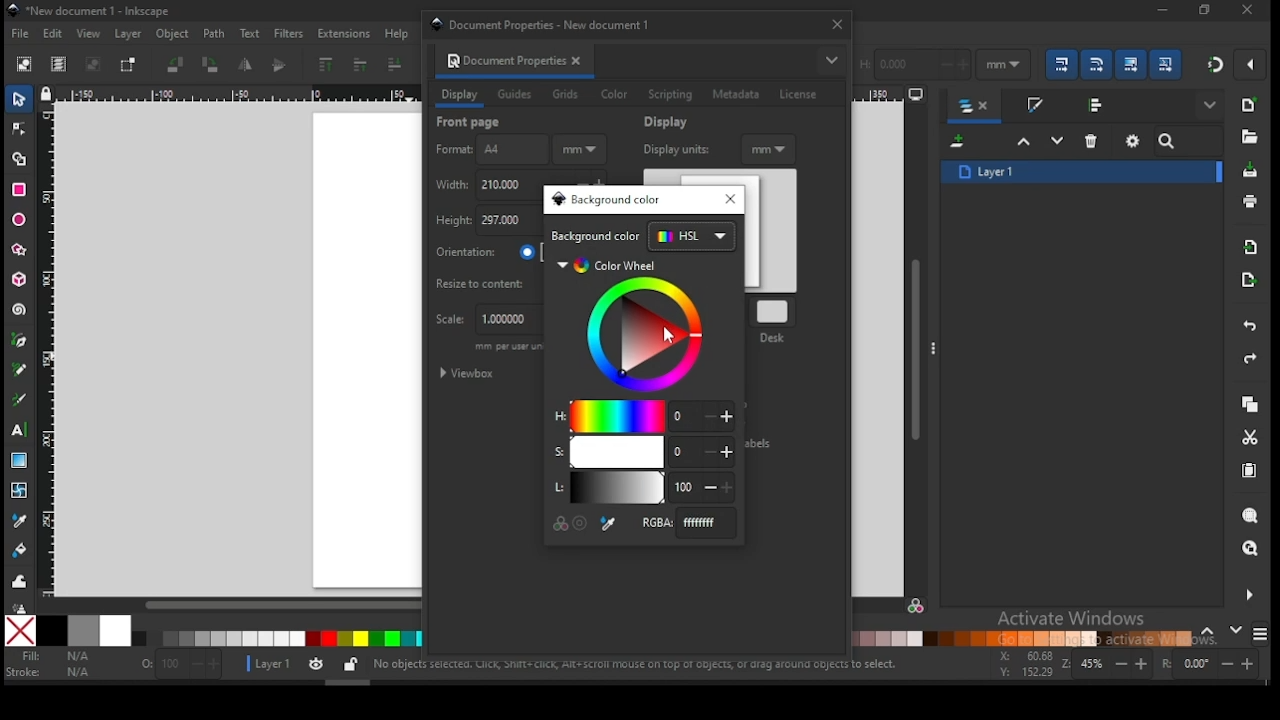 This screenshot has width=1280, height=720. Describe the element at coordinates (797, 95) in the screenshot. I see `license` at that location.